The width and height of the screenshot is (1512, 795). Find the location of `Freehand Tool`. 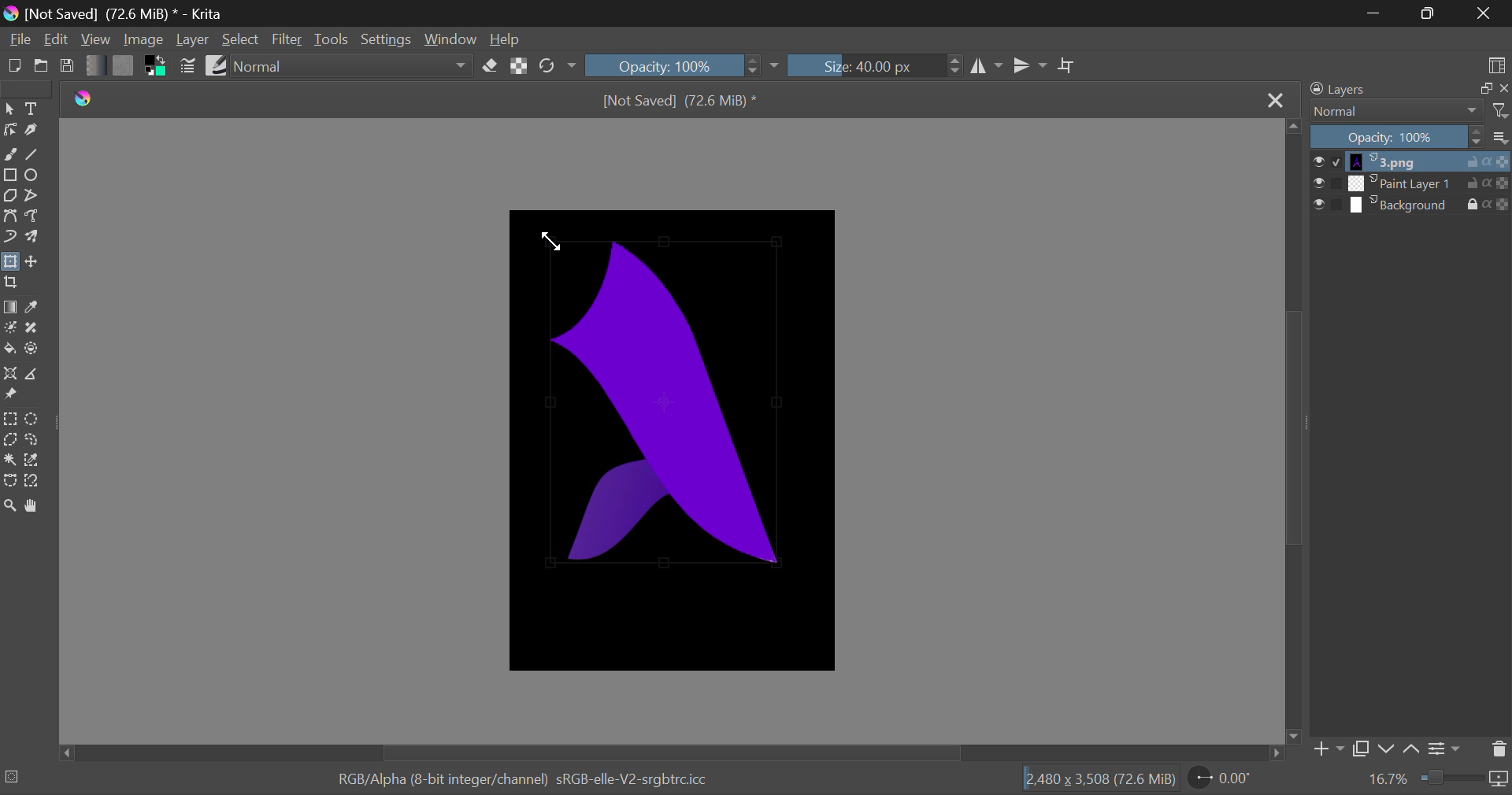

Freehand Tool is located at coordinates (30, 441).